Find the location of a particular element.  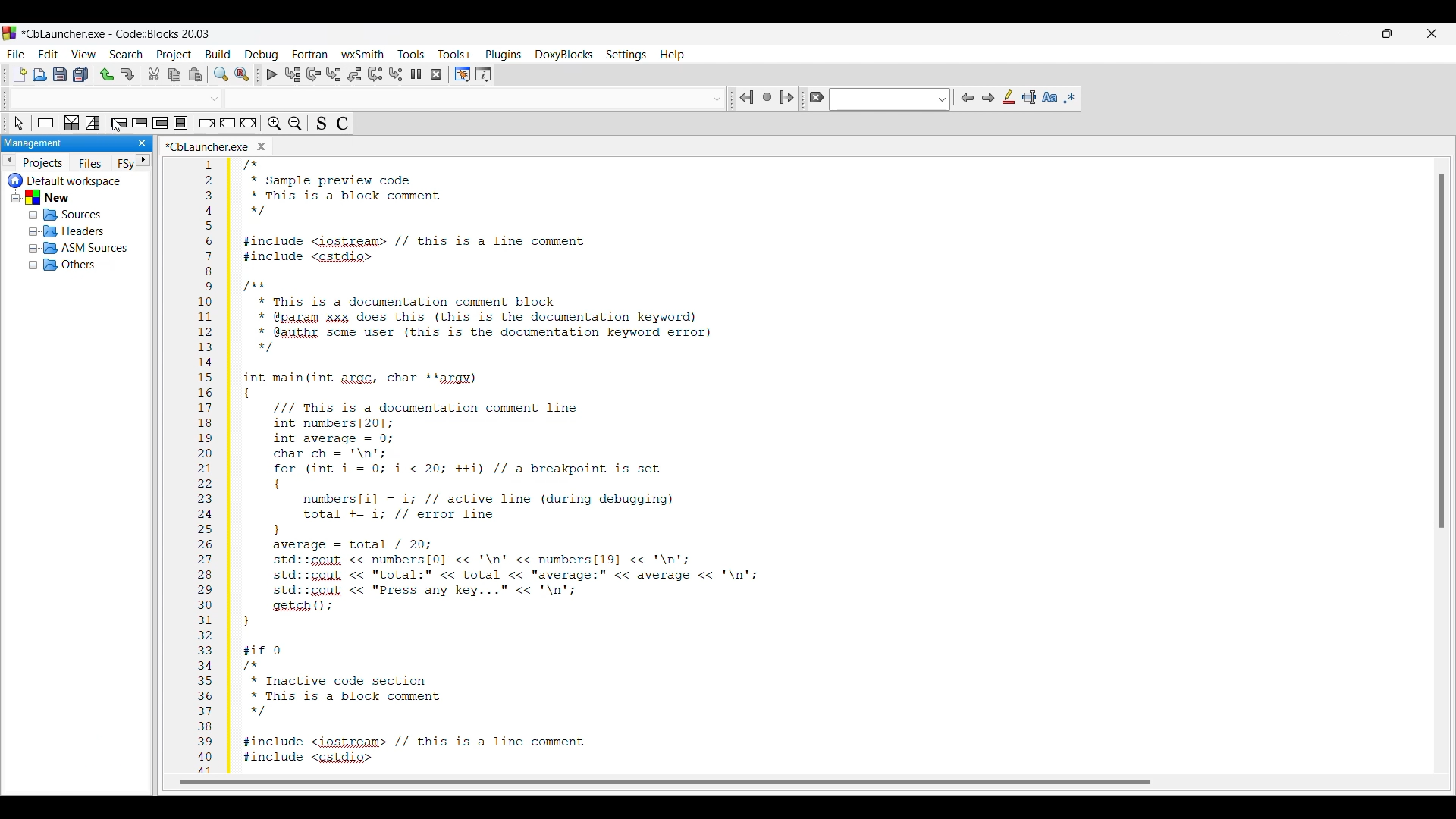

Break debugger is located at coordinates (416, 74).